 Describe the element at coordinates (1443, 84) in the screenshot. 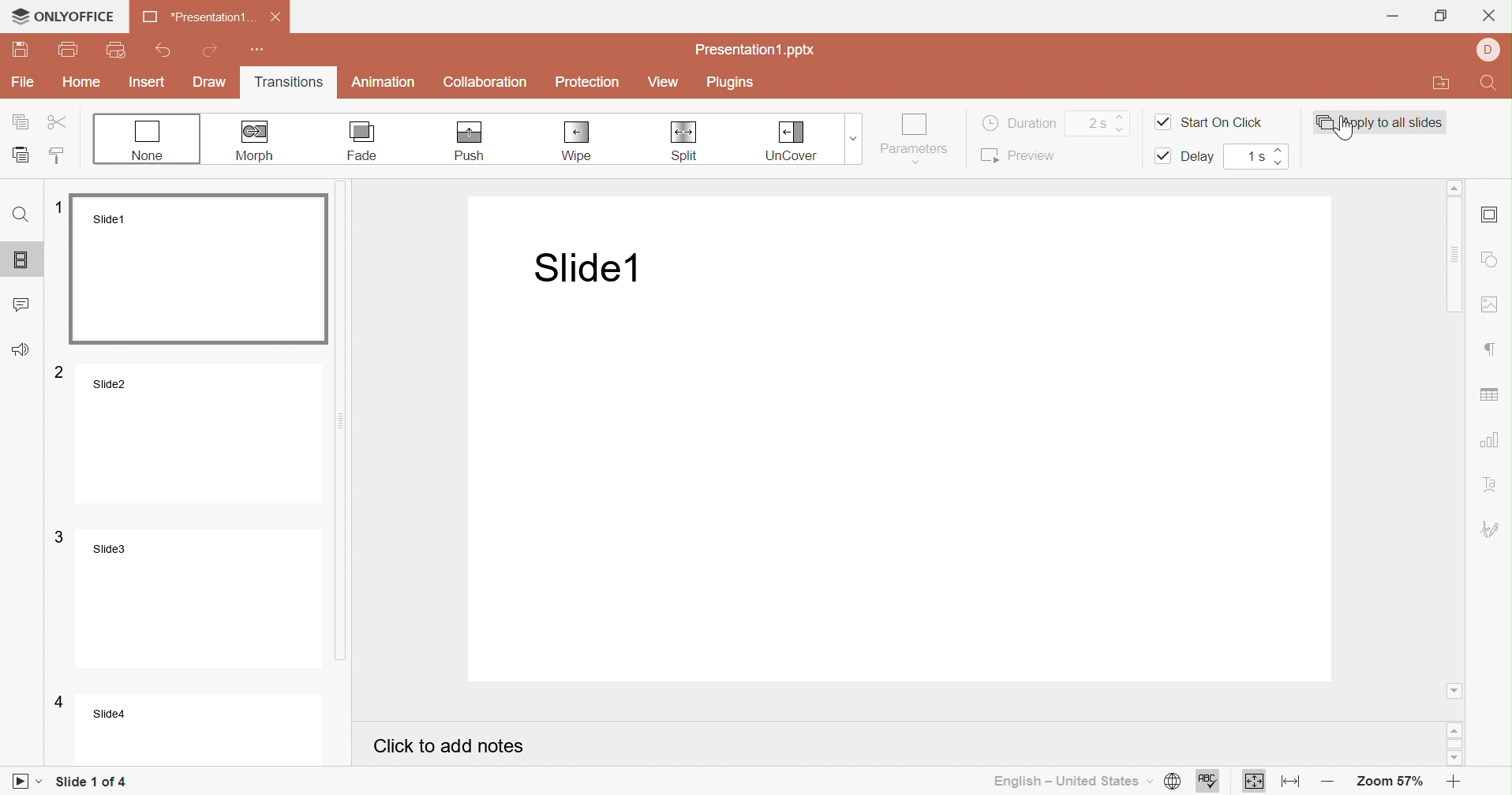

I see `Open file location` at that location.